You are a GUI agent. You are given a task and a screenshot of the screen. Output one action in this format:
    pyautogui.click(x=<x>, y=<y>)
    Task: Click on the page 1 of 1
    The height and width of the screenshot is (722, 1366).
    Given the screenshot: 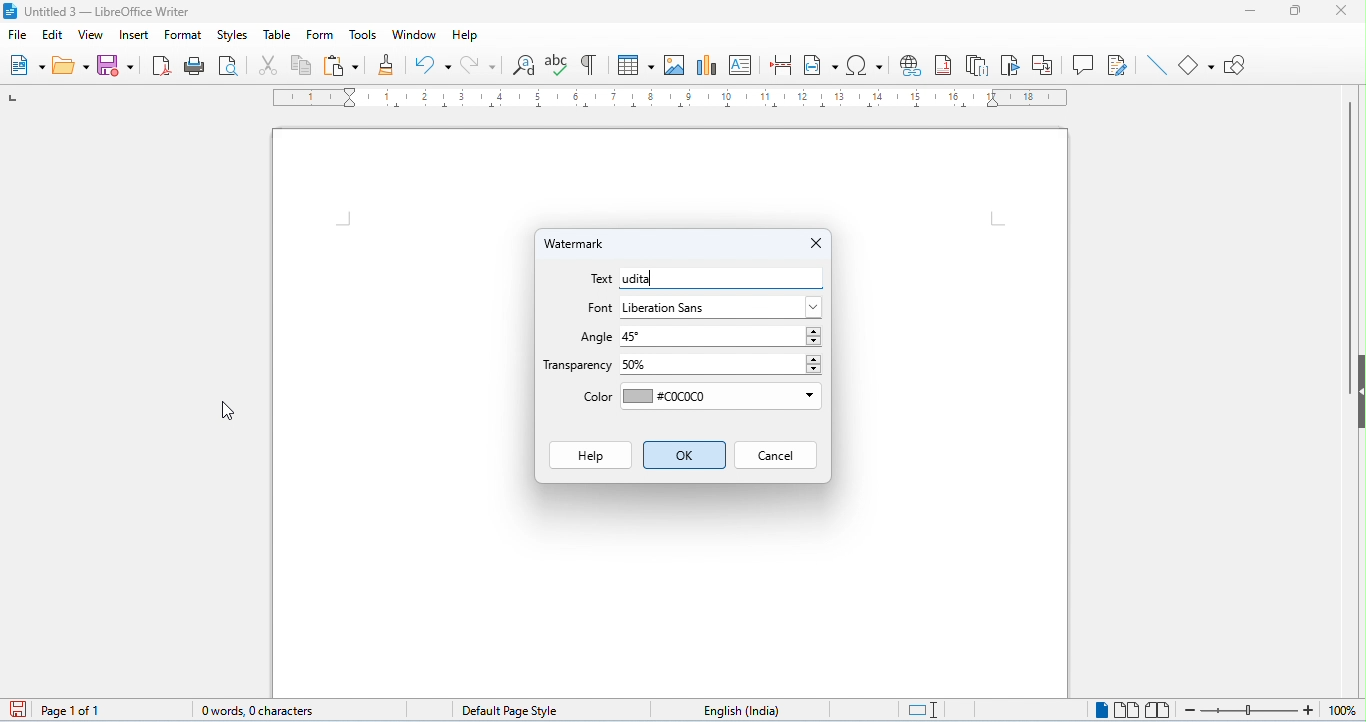 What is the action you would take?
    pyautogui.click(x=73, y=711)
    